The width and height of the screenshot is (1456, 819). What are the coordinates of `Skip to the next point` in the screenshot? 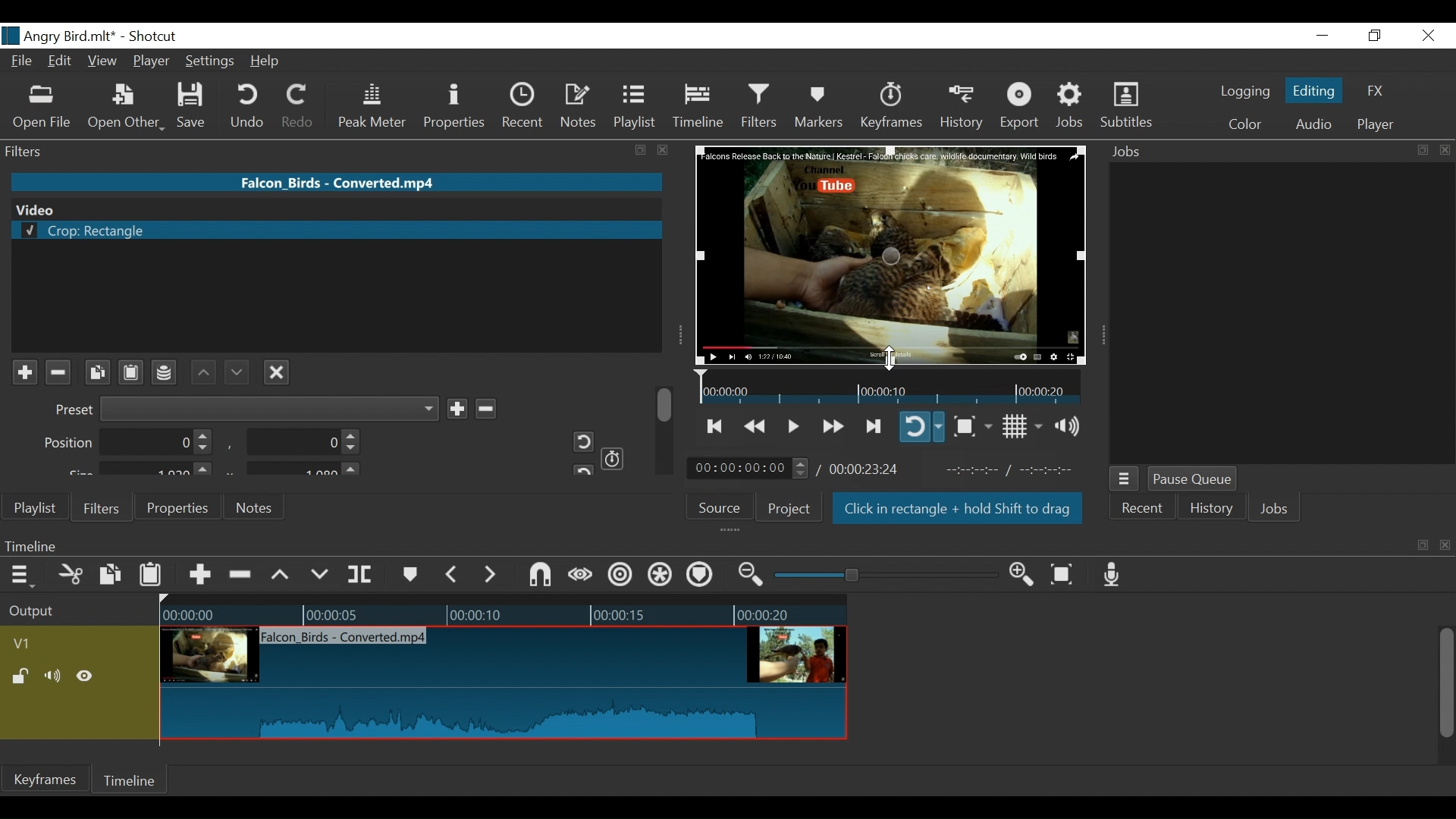 It's located at (874, 427).